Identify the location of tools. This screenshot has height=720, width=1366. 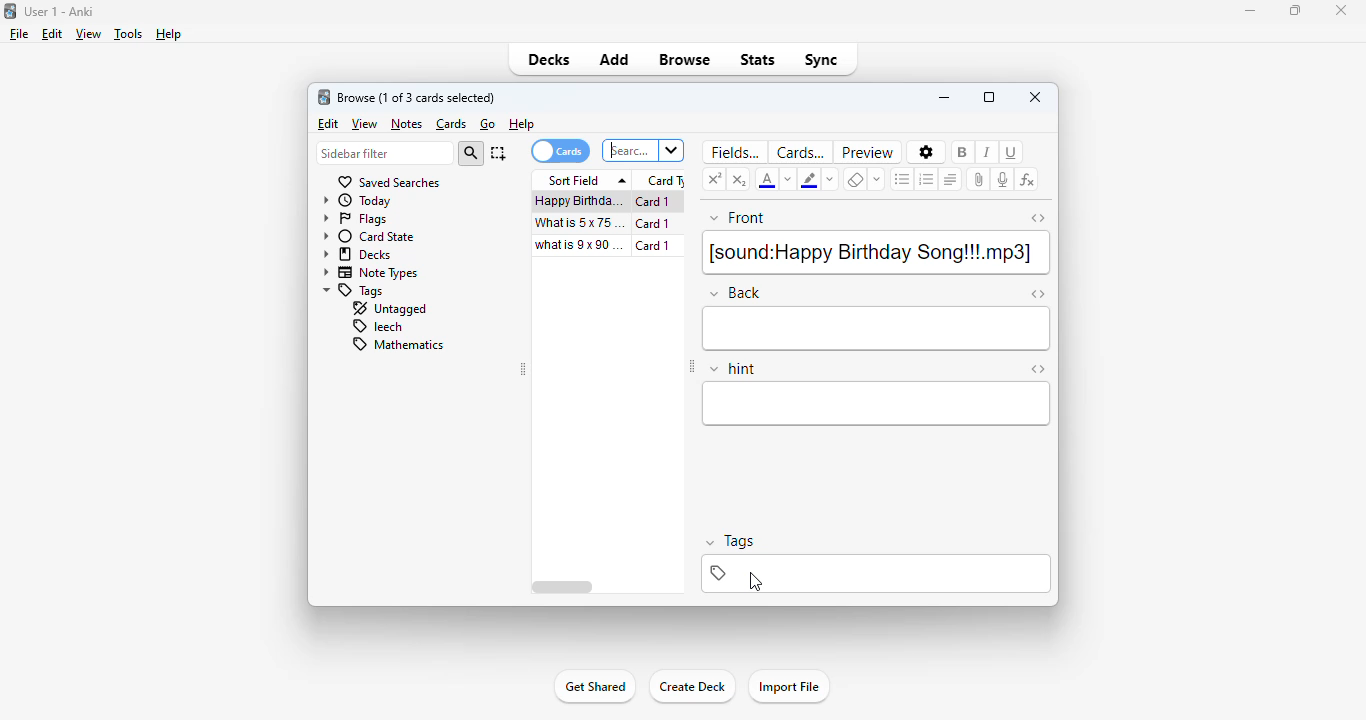
(128, 35).